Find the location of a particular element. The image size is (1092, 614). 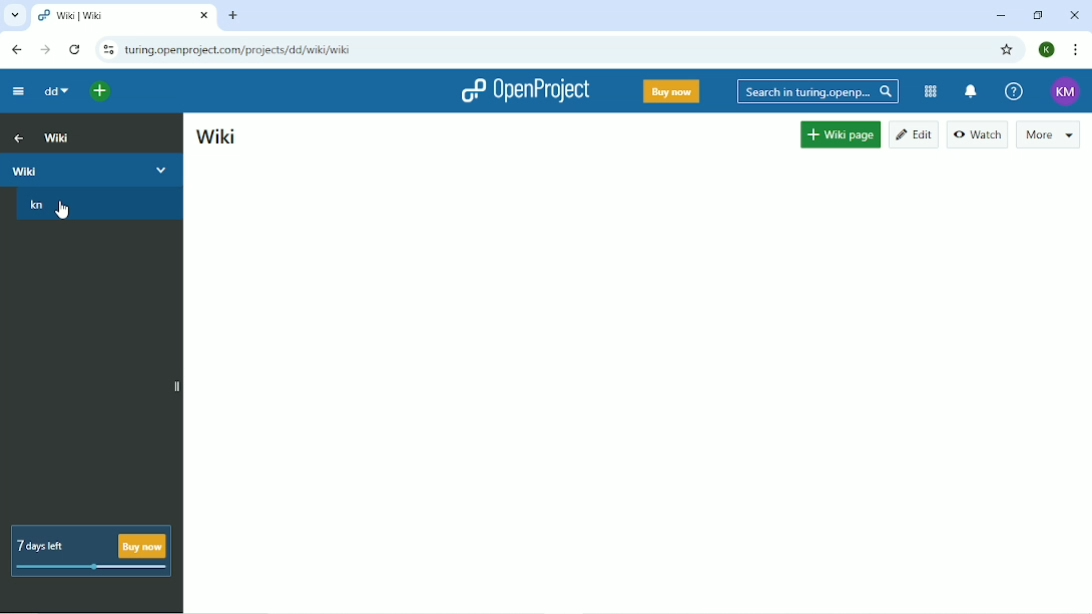

meter is located at coordinates (88, 571).